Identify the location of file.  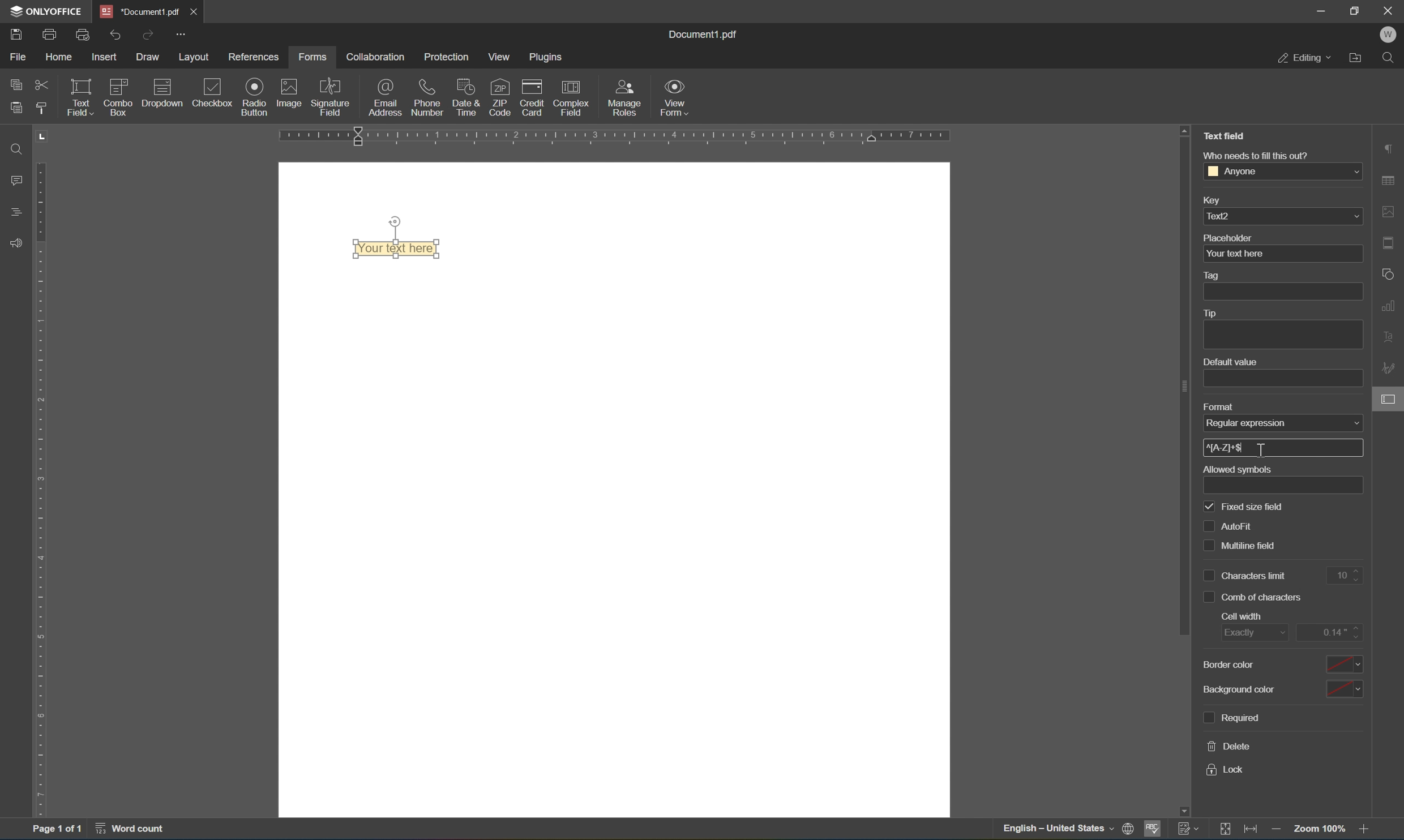
(15, 56).